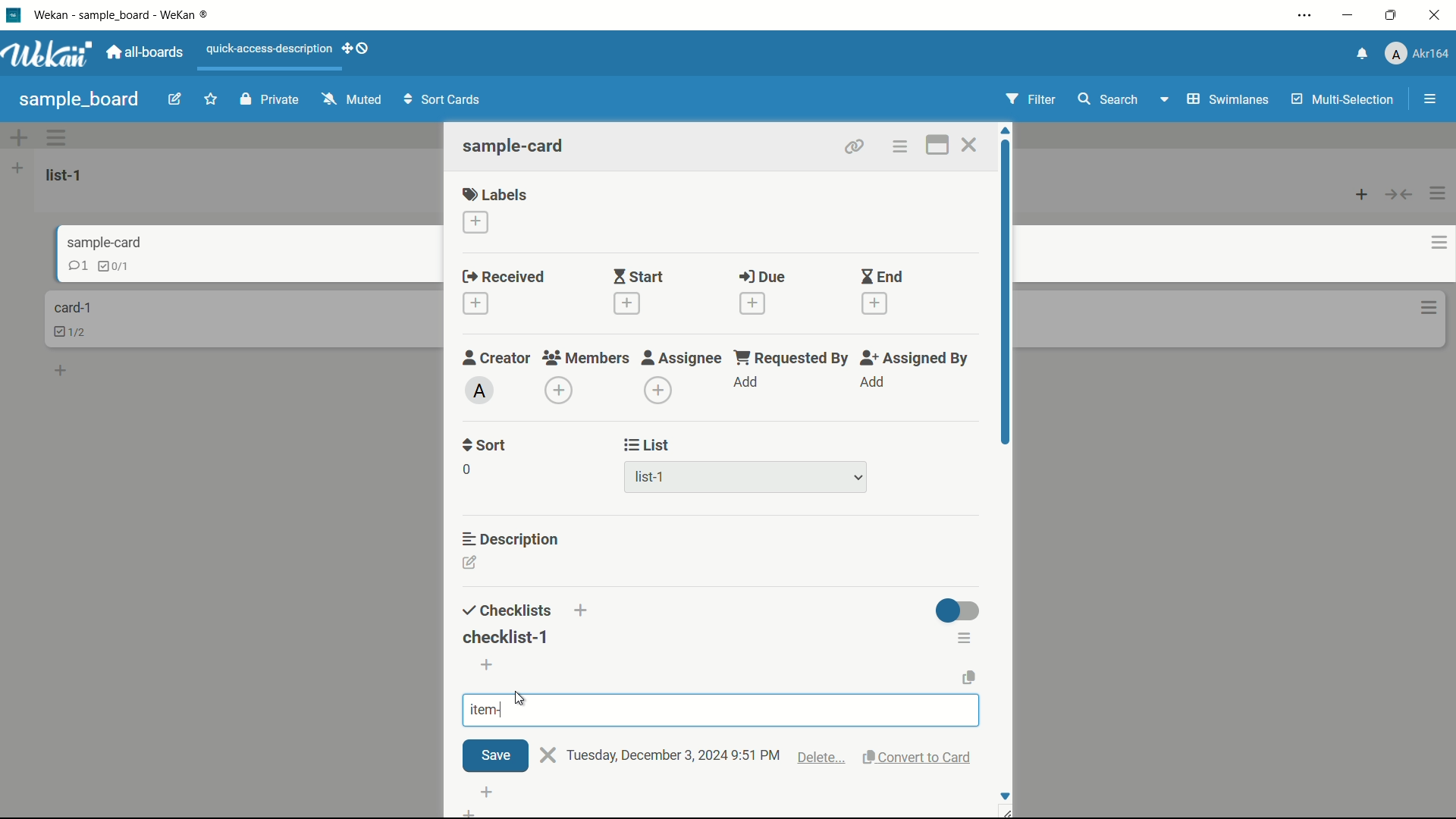 Image resolution: width=1456 pixels, height=819 pixels. Describe the element at coordinates (488, 665) in the screenshot. I see `add item` at that location.